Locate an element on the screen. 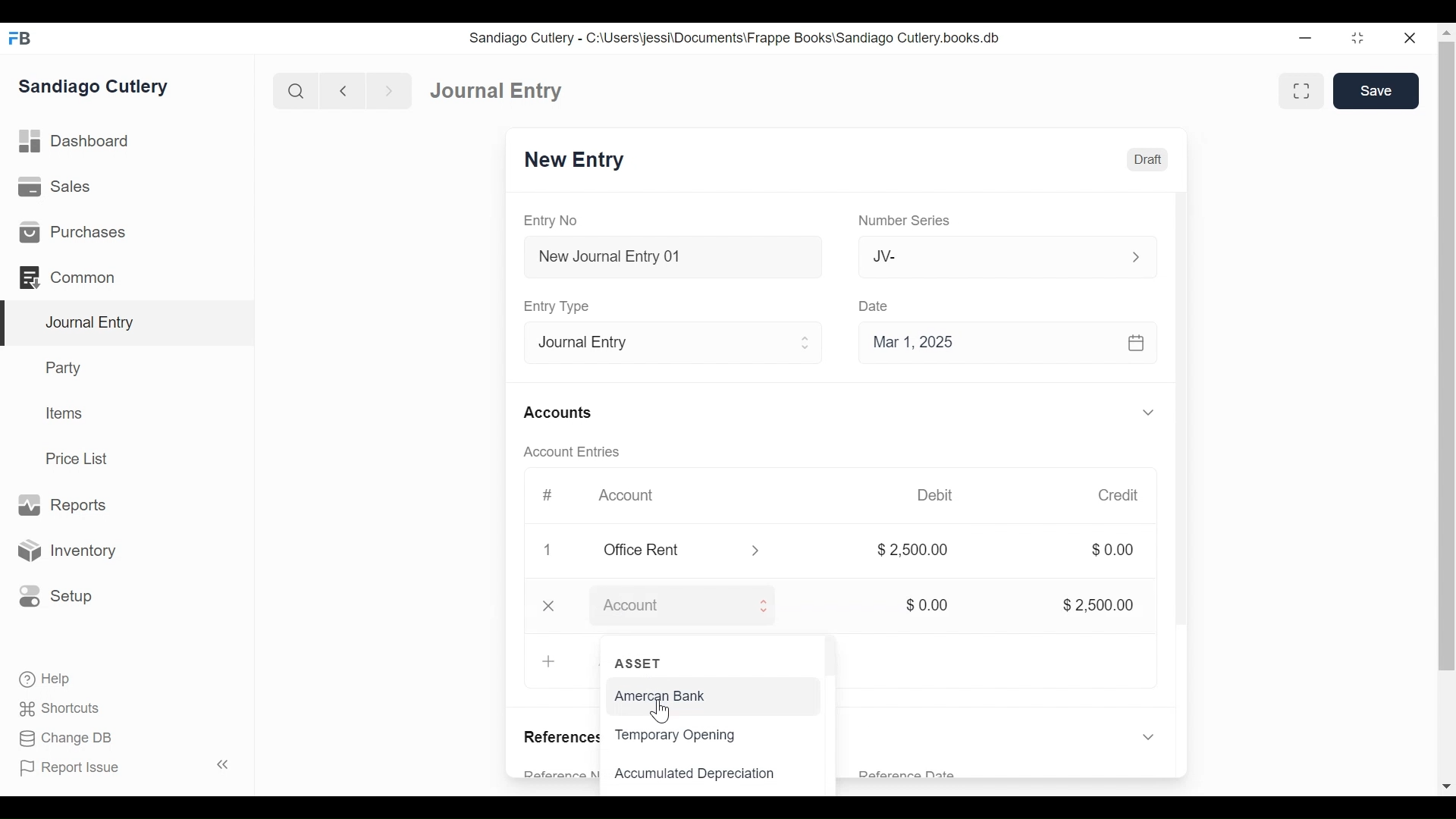 This screenshot has height=819, width=1456. Account is located at coordinates (689, 605).